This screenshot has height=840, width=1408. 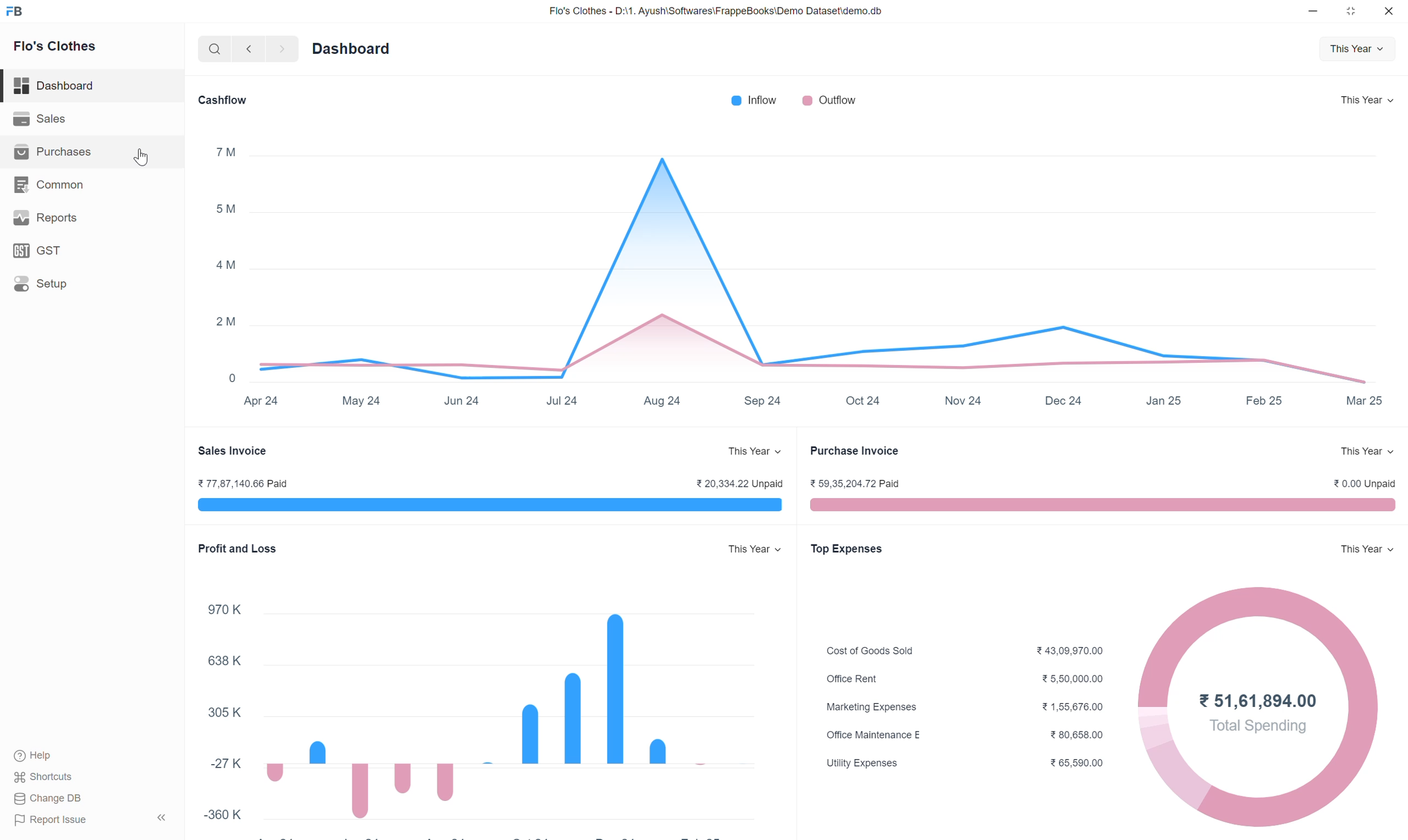 What do you see at coordinates (50, 186) in the screenshot?
I see `Common ` at bounding box center [50, 186].